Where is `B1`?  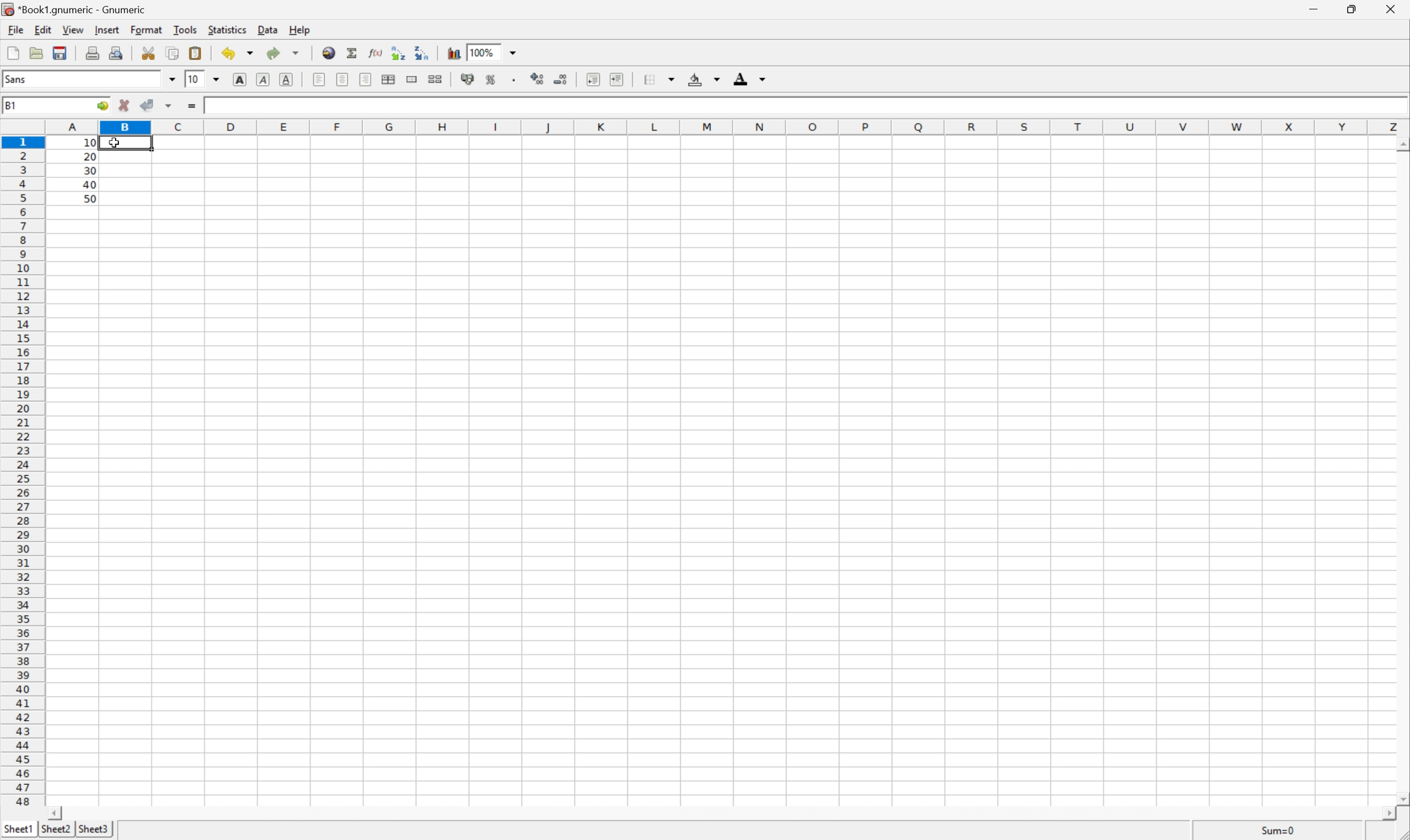 B1 is located at coordinates (11, 106).